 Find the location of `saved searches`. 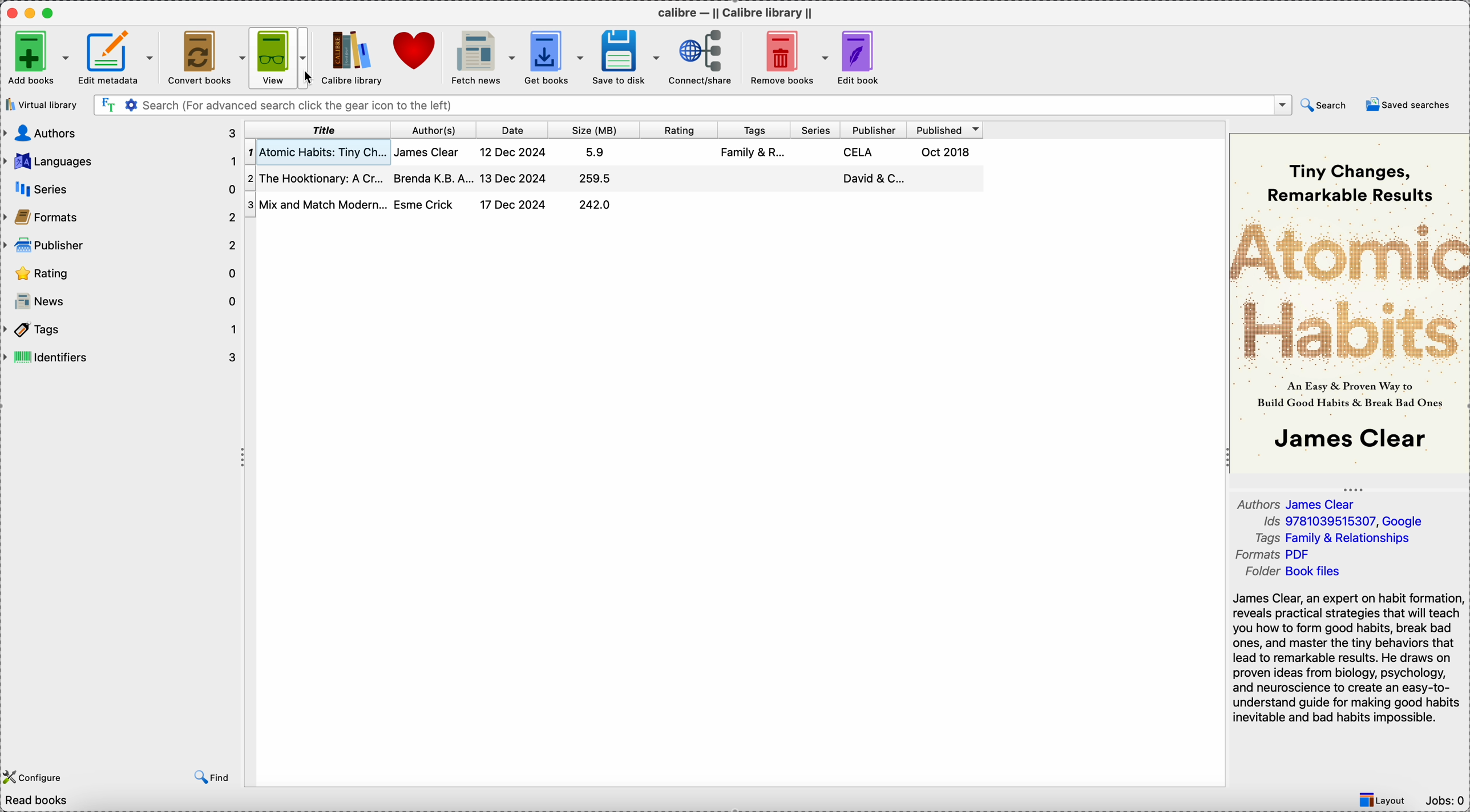

saved searches is located at coordinates (1407, 106).